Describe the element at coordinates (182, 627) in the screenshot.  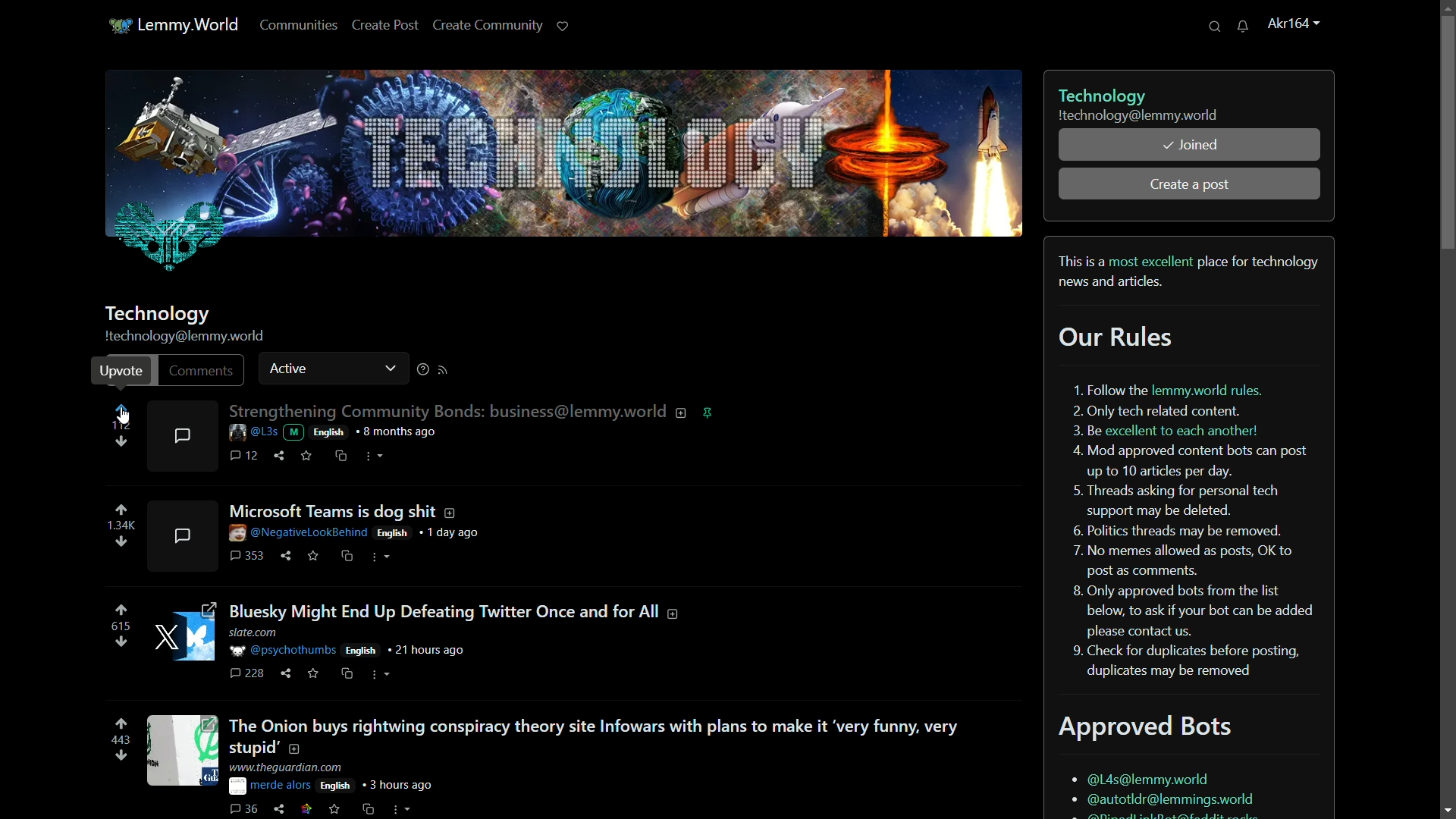
I see `image` at that location.